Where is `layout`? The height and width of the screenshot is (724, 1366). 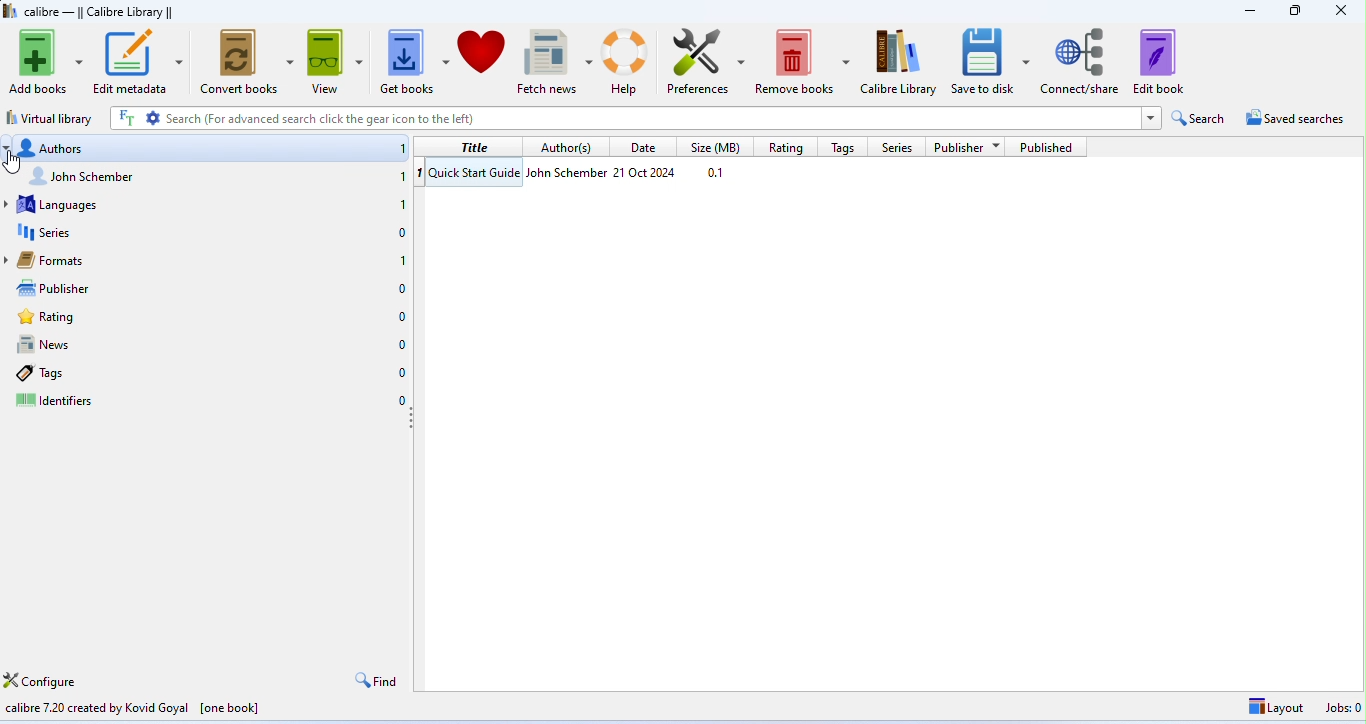
layout is located at coordinates (1272, 707).